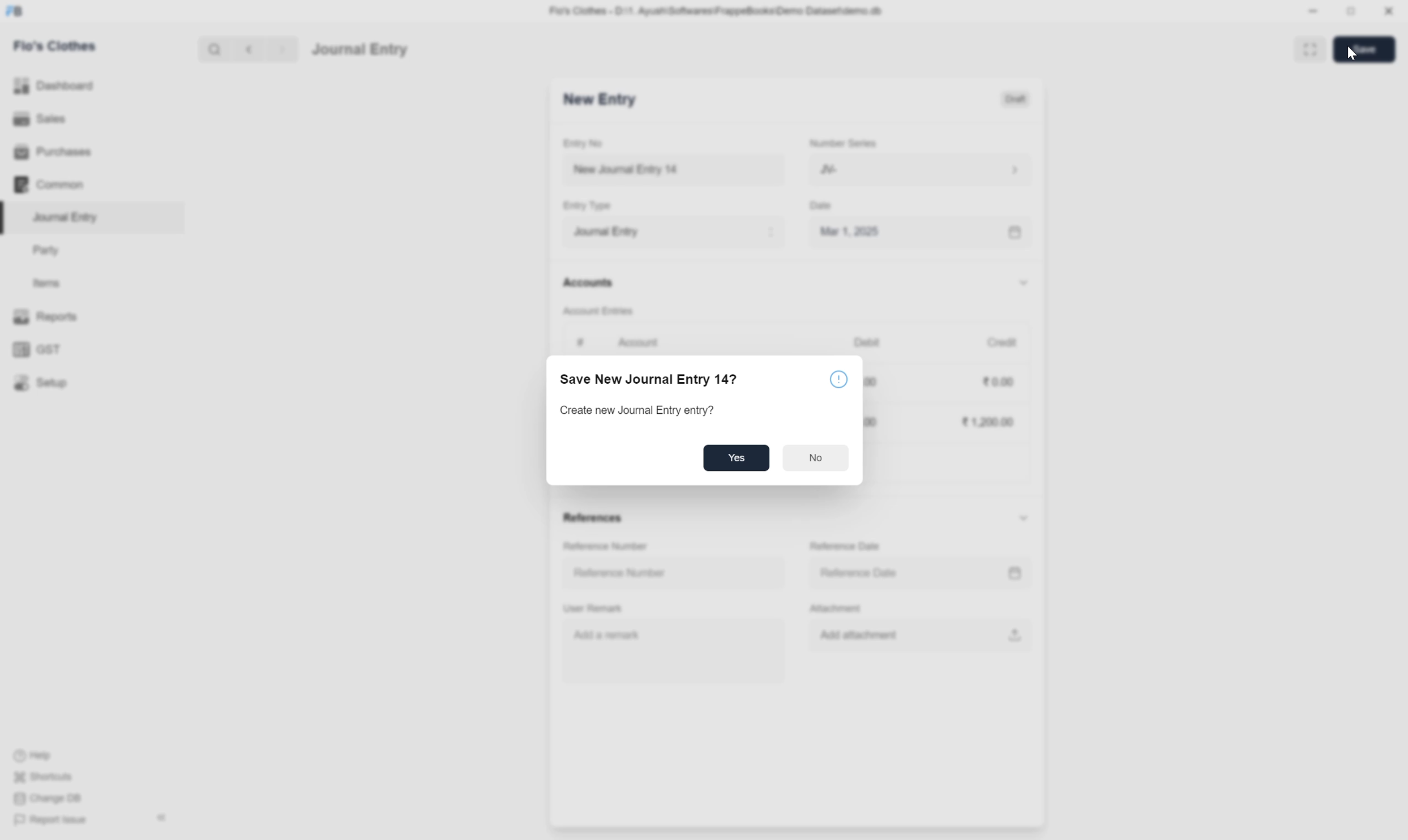  Describe the element at coordinates (590, 281) in the screenshot. I see `Accounts` at that location.